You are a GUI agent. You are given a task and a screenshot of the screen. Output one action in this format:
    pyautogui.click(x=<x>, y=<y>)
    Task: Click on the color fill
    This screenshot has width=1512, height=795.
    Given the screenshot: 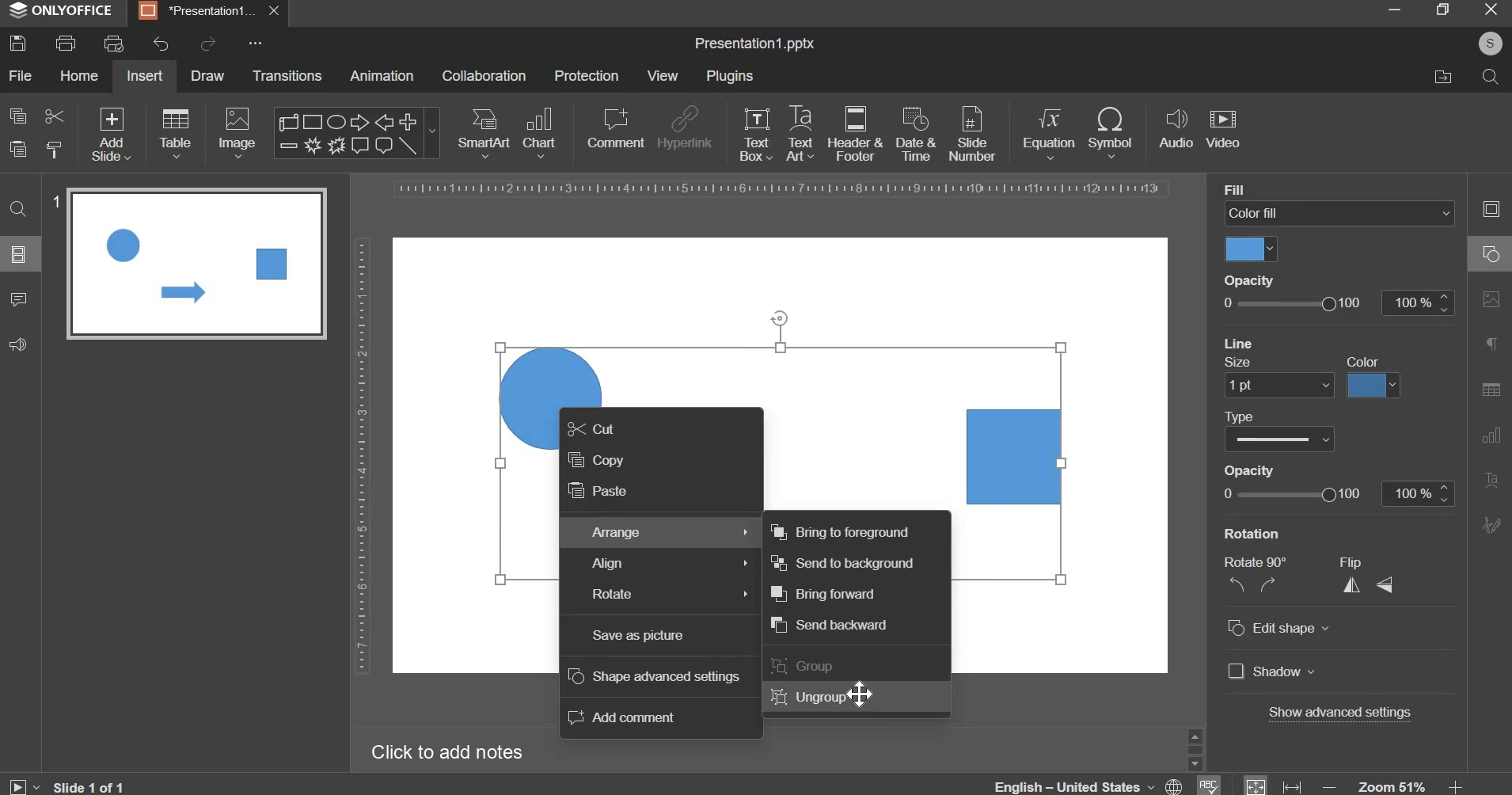 What is the action you would take?
    pyautogui.click(x=1252, y=249)
    